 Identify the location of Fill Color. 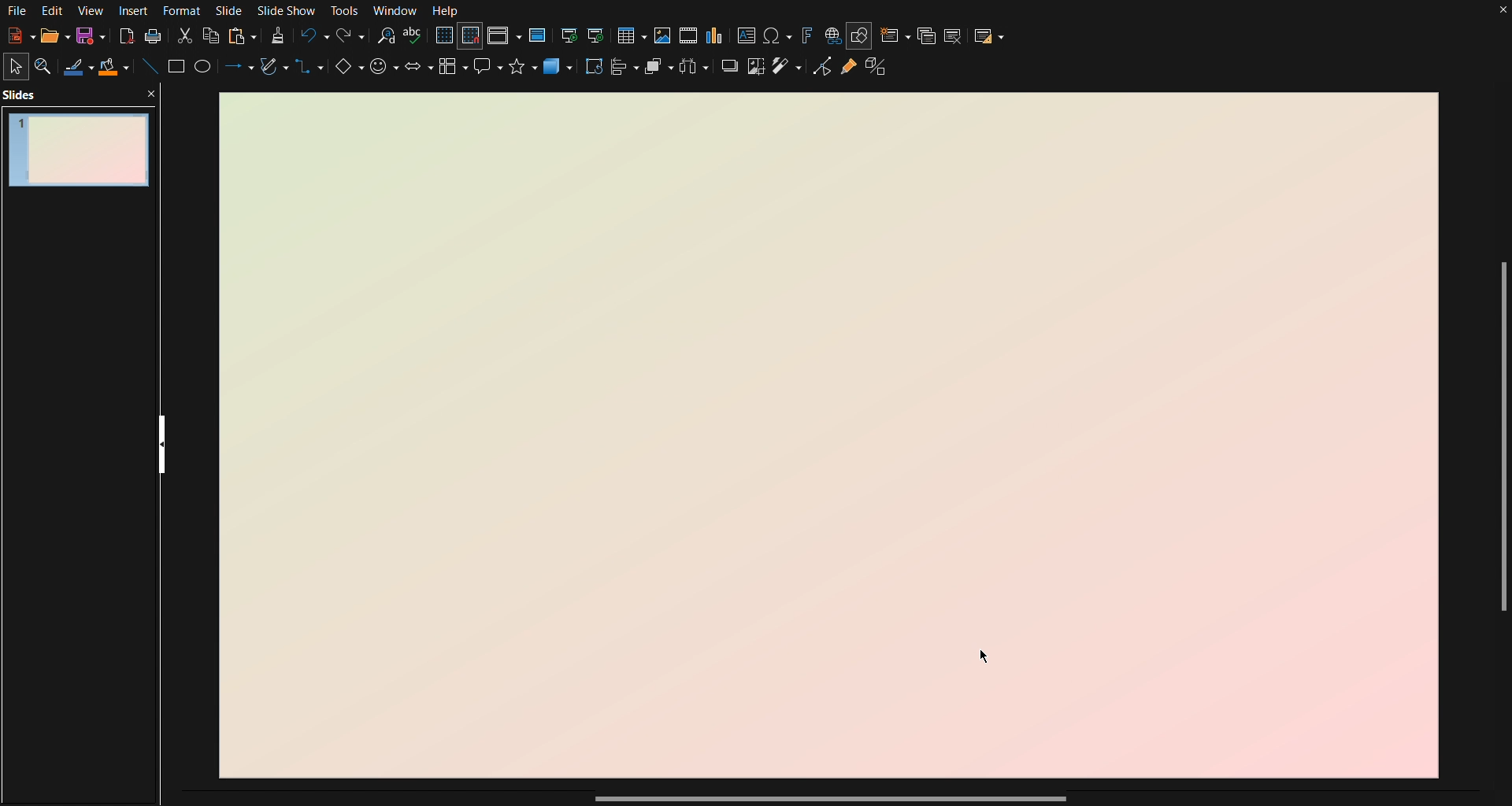
(114, 68).